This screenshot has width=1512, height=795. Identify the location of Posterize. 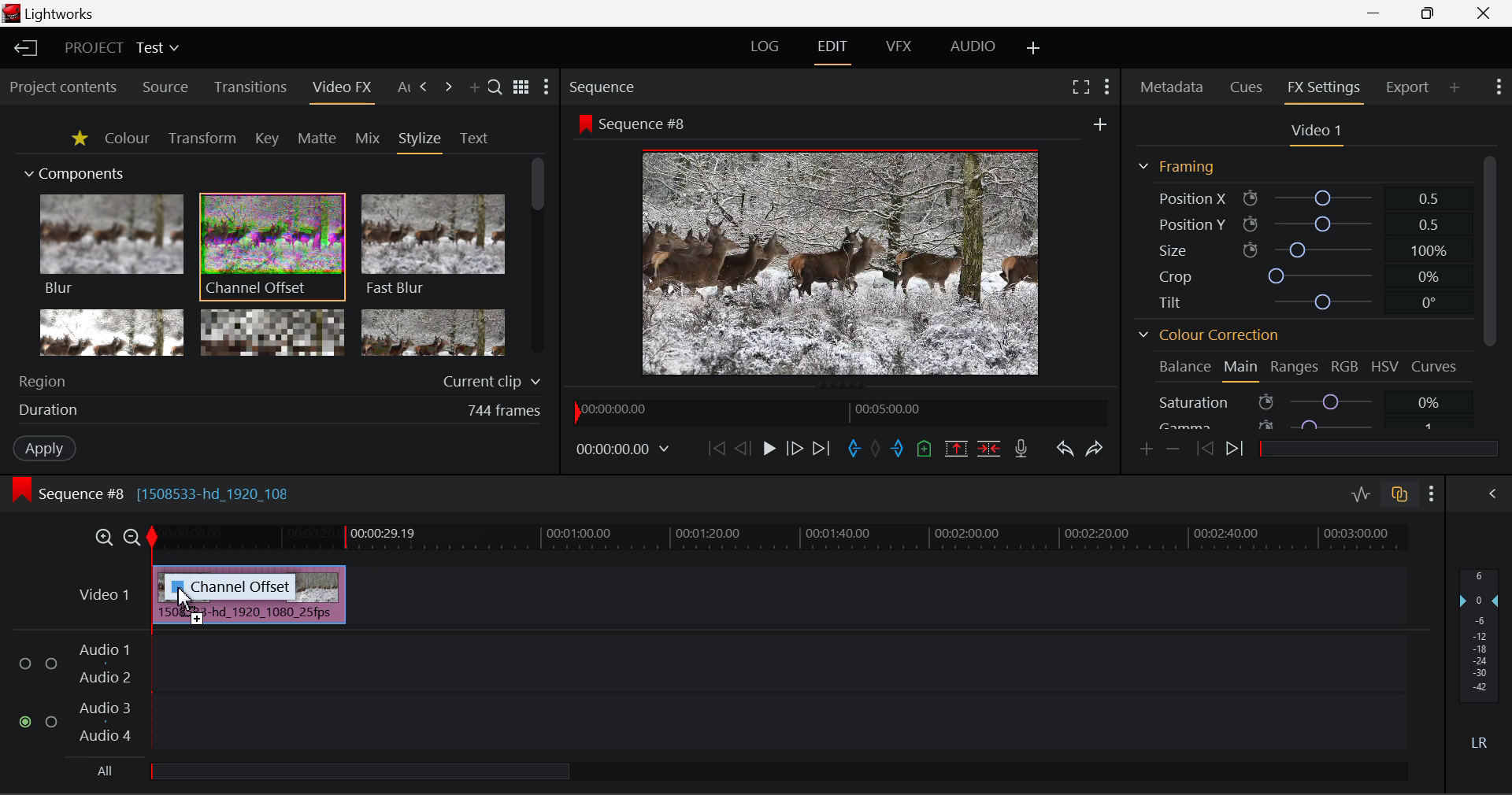
(433, 331).